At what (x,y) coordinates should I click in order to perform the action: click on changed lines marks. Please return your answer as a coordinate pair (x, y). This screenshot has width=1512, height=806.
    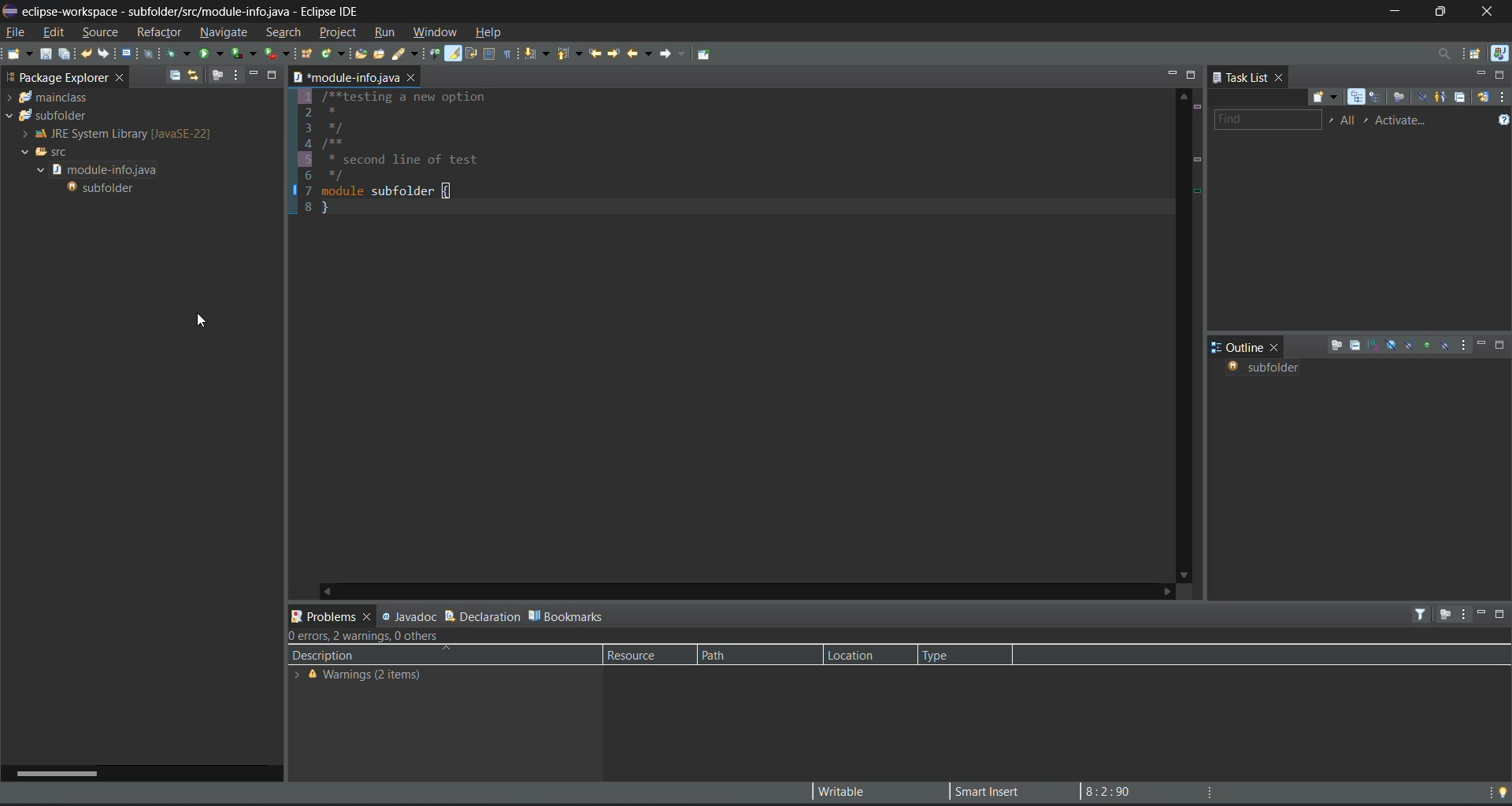
    Looking at the image, I should click on (1196, 161).